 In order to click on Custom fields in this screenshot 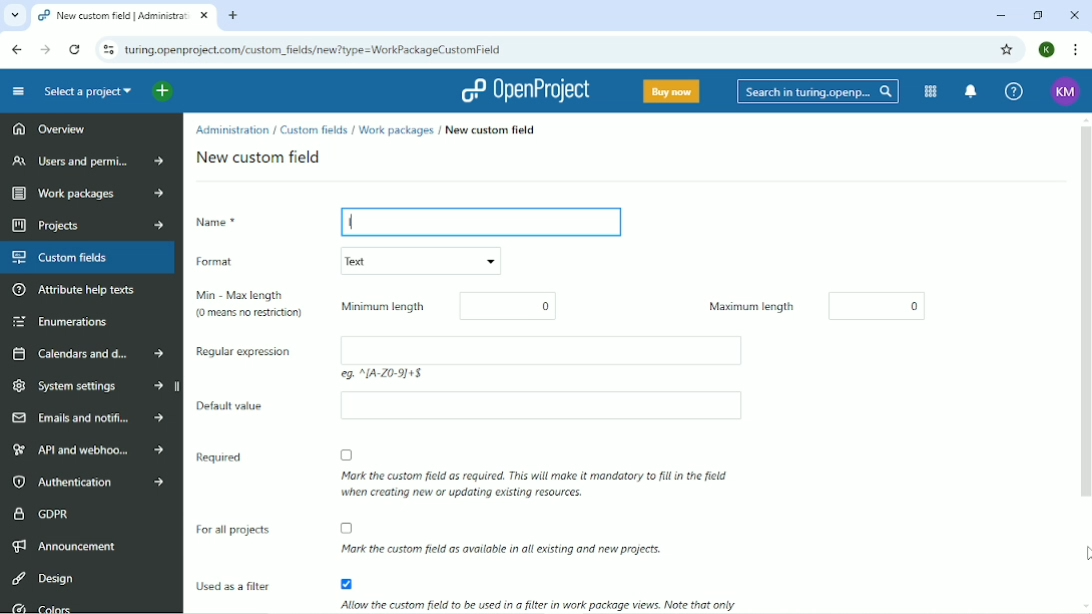, I will do `click(314, 129)`.